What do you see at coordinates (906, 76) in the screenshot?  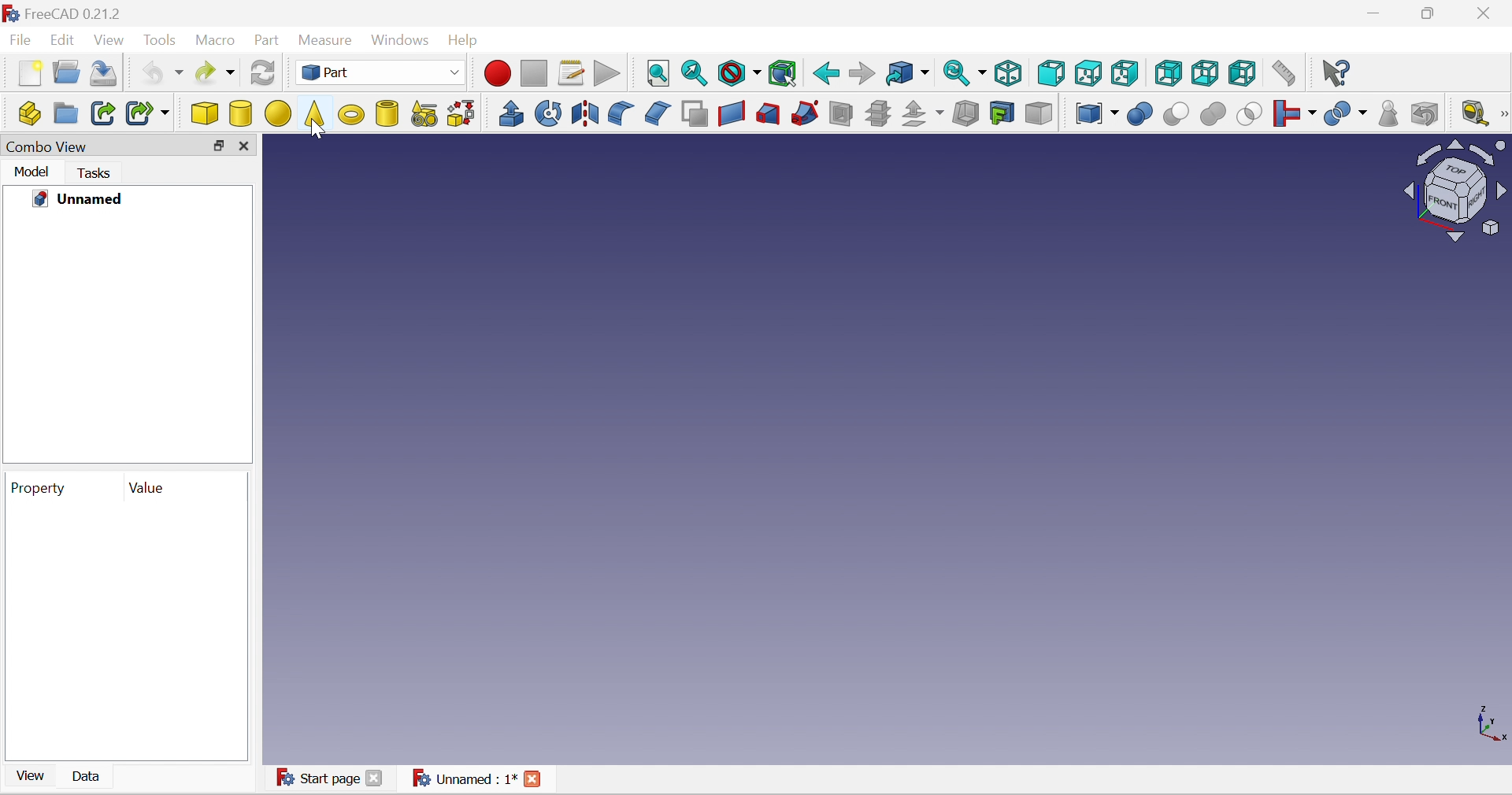 I see `Go to linked object` at bounding box center [906, 76].